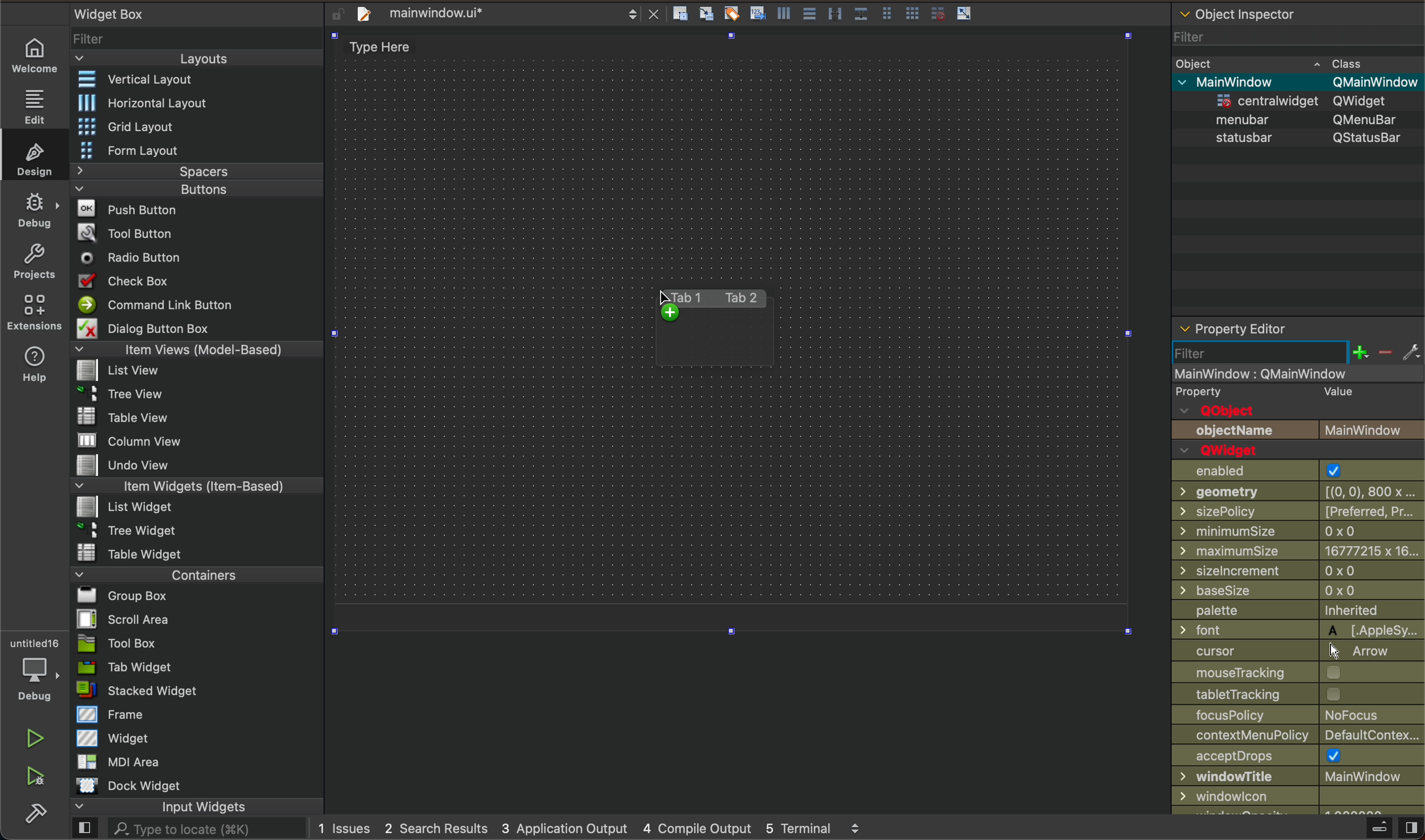 Image resolution: width=1425 pixels, height=840 pixels. Describe the element at coordinates (194, 573) in the screenshot. I see `Containers` at that location.